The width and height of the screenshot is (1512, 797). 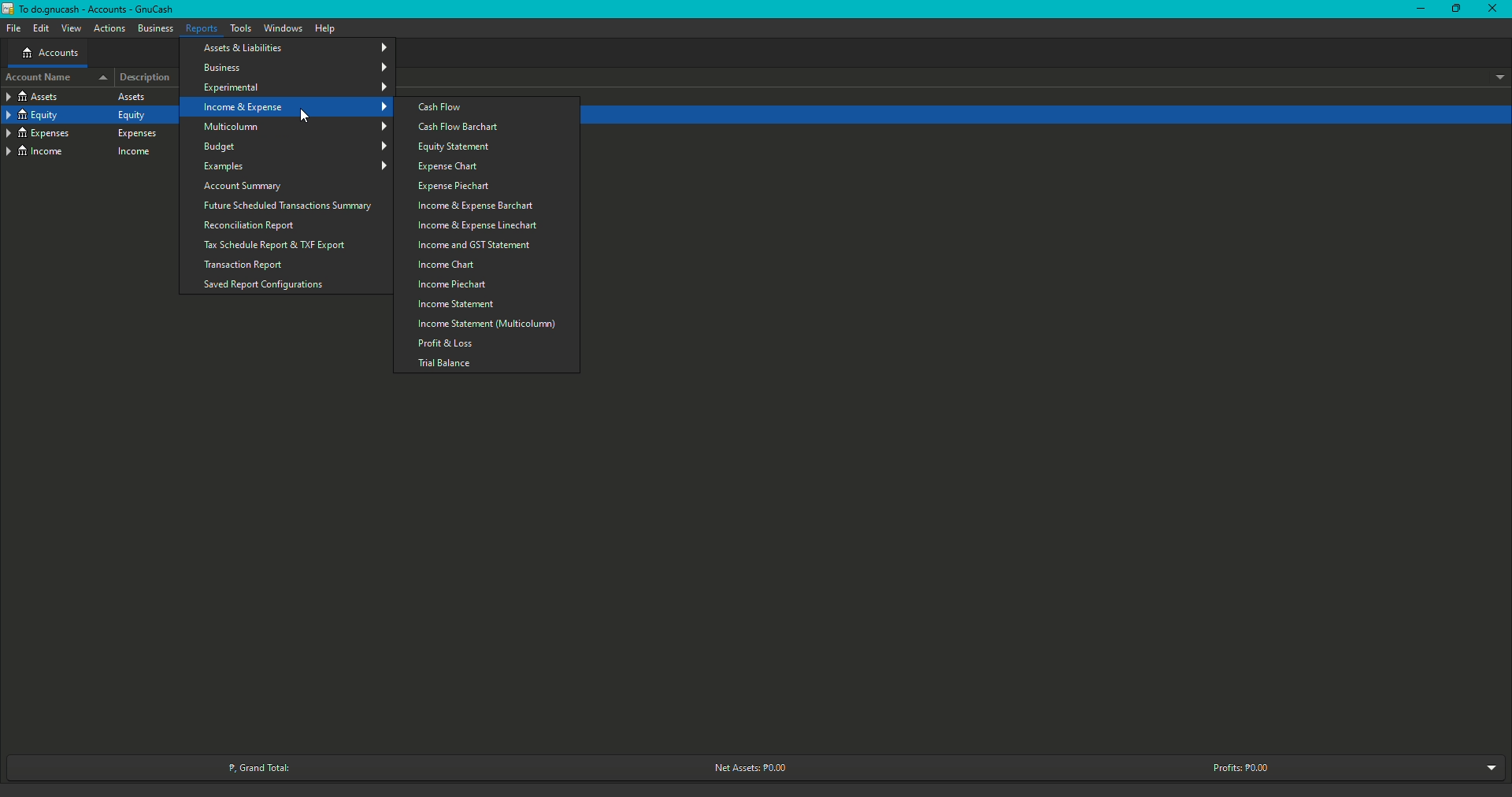 I want to click on Actions, so click(x=110, y=27).